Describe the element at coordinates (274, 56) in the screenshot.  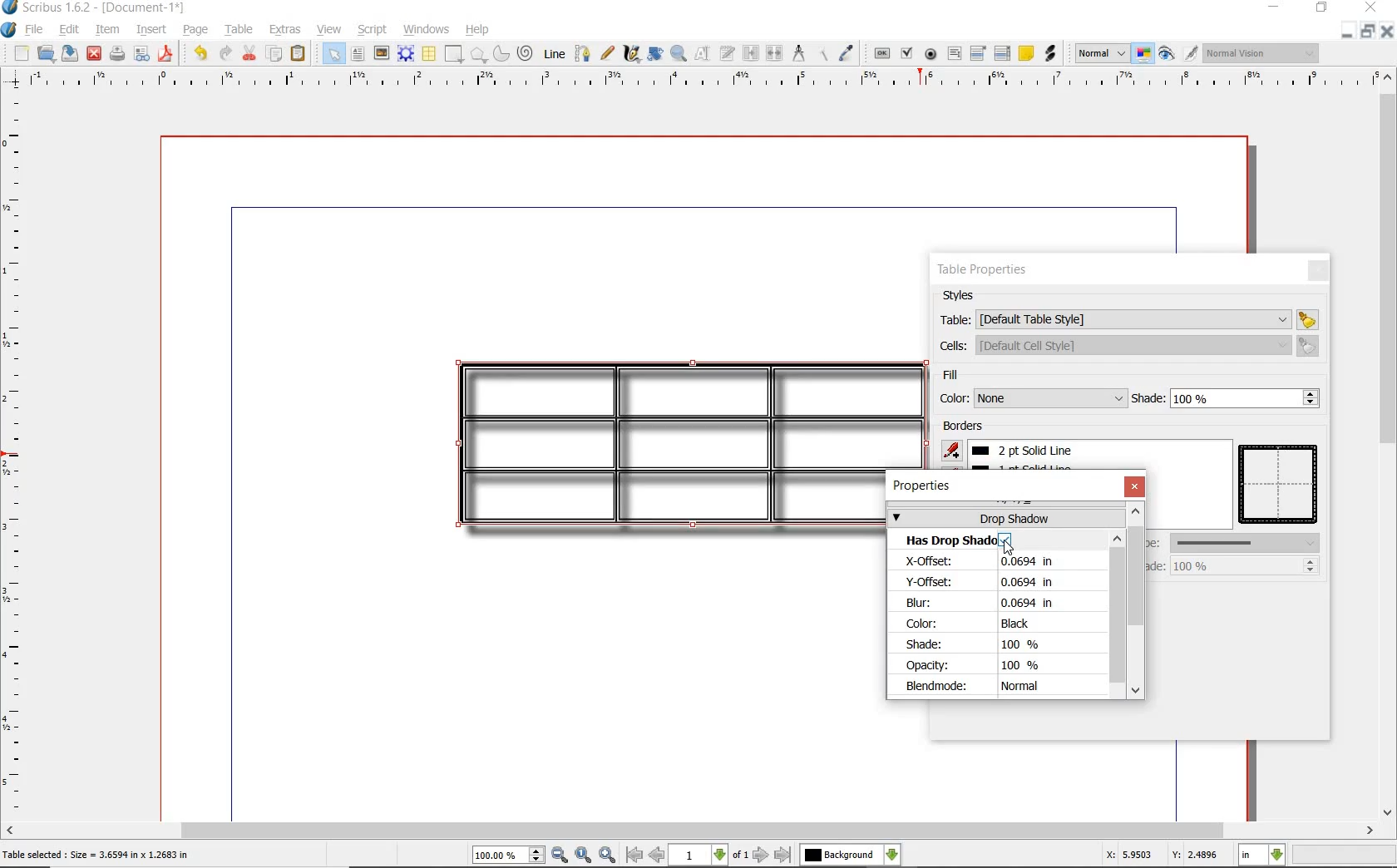
I see `copy` at that location.